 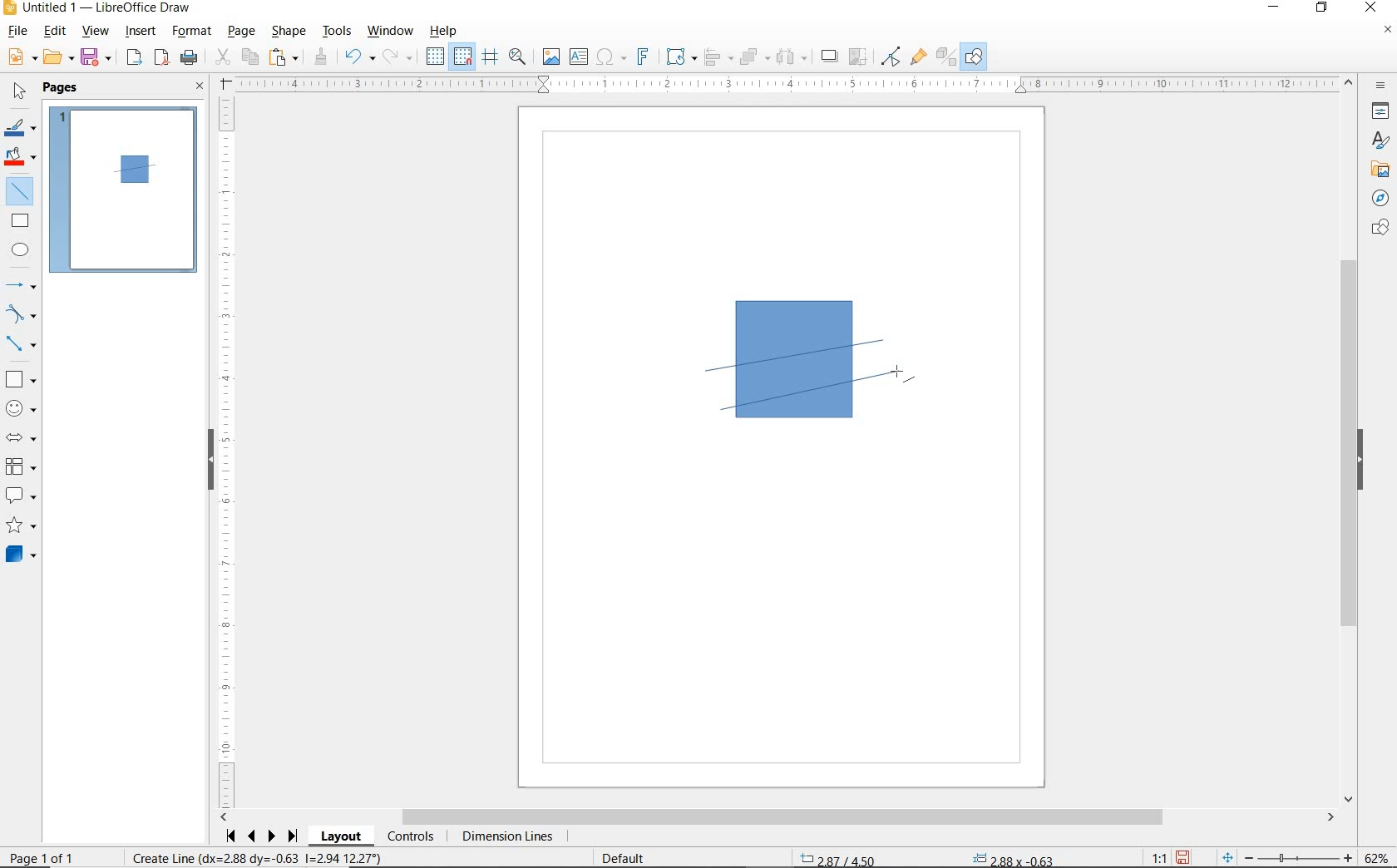 I want to click on IMAGE, so click(x=550, y=56).